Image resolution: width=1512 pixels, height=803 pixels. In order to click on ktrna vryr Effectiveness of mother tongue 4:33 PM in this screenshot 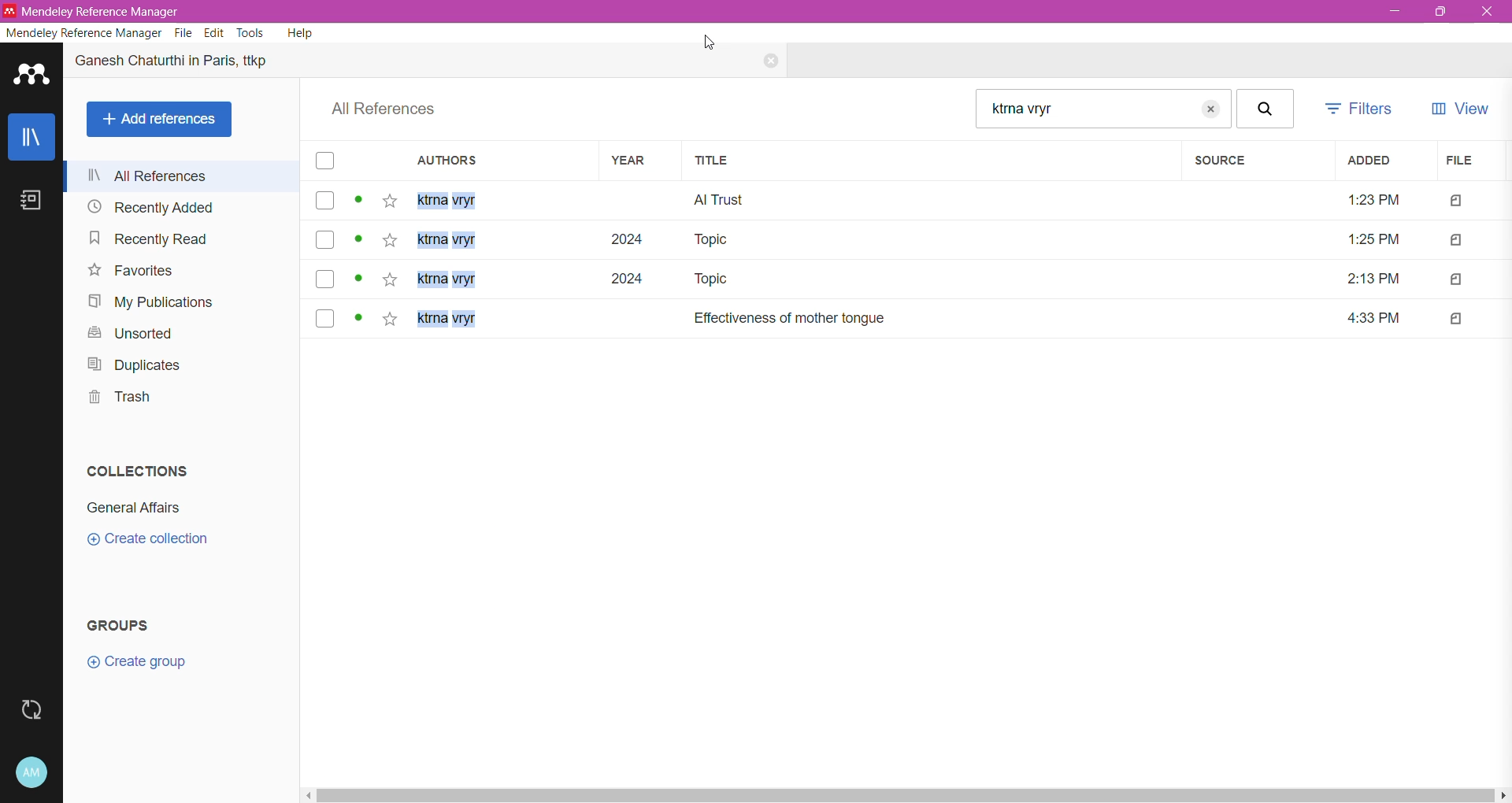, I will do `click(904, 316)`.